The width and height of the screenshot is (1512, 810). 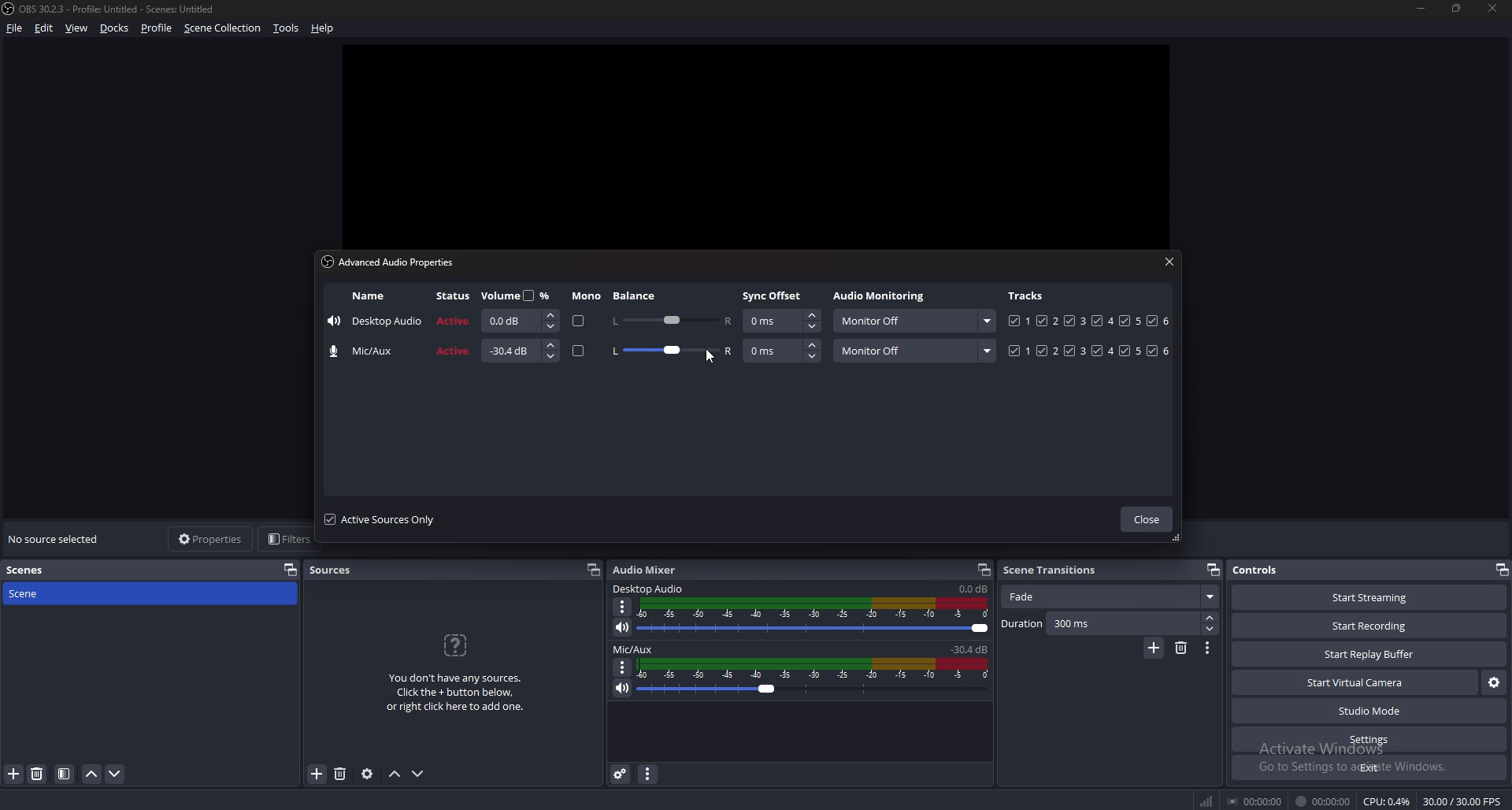 I want to click on desktop audio volume, so click(x=973, y=589).